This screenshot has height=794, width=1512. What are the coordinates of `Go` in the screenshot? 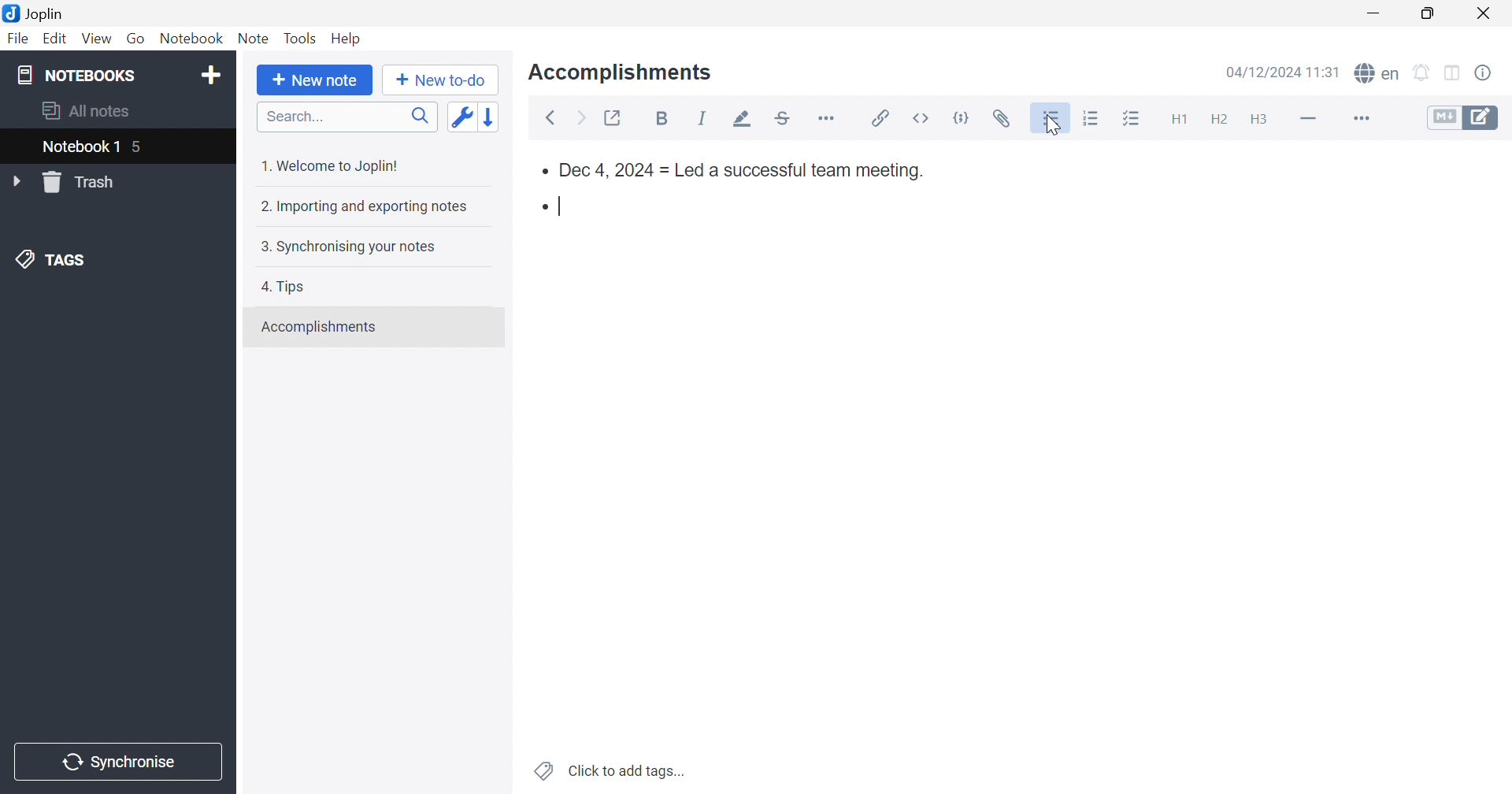 It's located at (138, 39).